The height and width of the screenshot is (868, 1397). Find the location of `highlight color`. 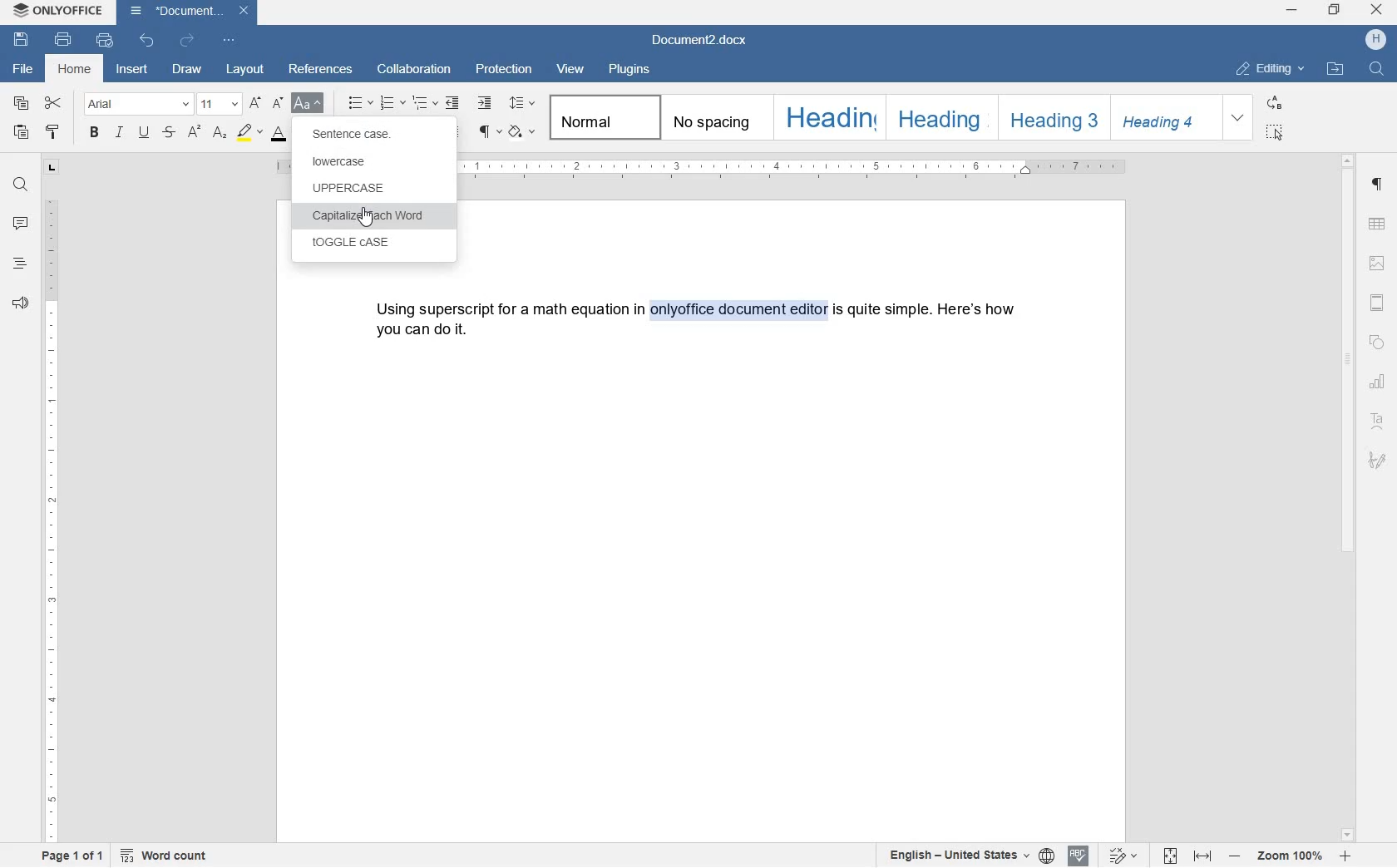

highlight color is located at coordinates (248, 131).